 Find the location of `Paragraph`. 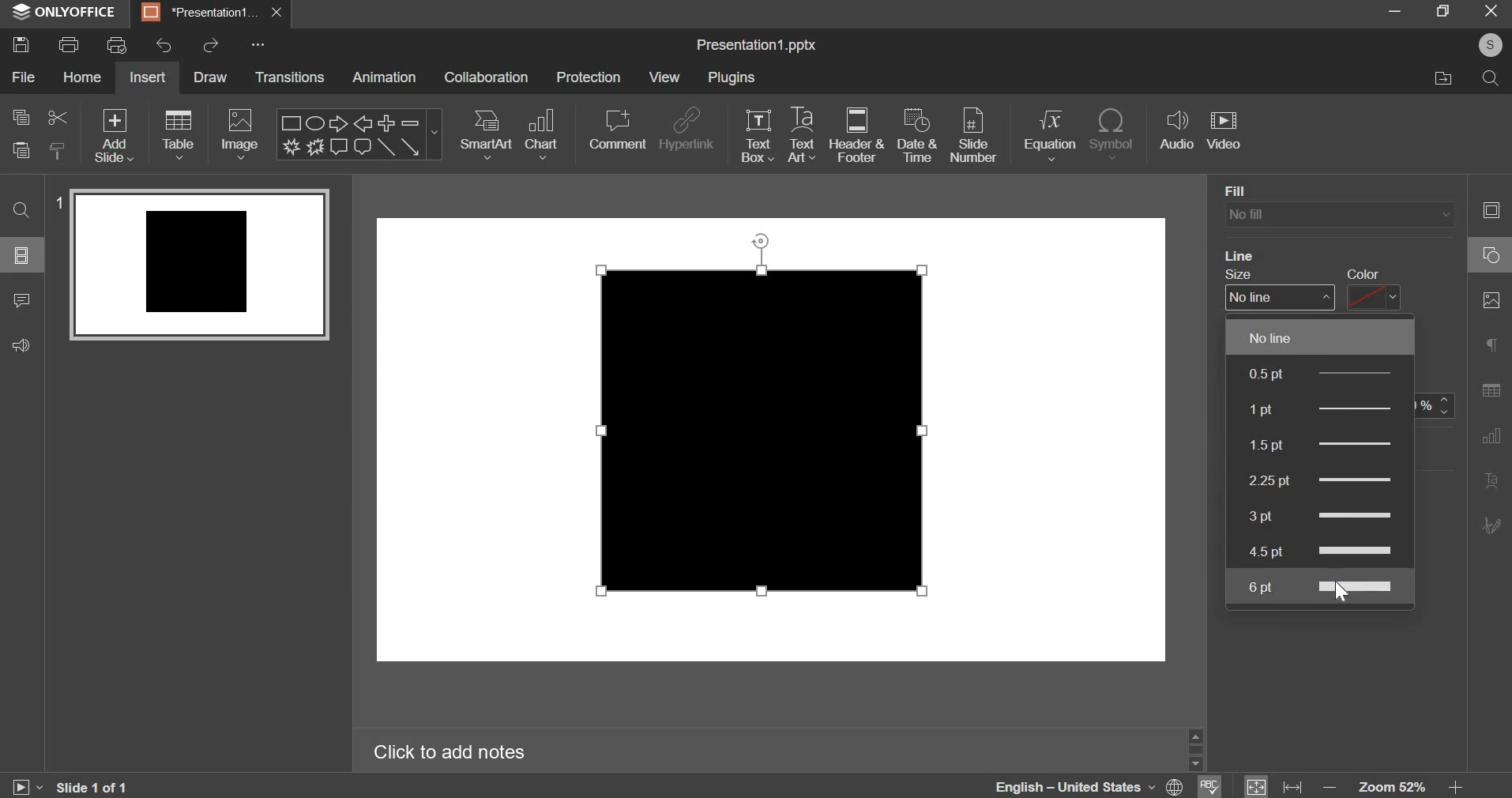

Paragraph is located at coordinates (1492, 480).